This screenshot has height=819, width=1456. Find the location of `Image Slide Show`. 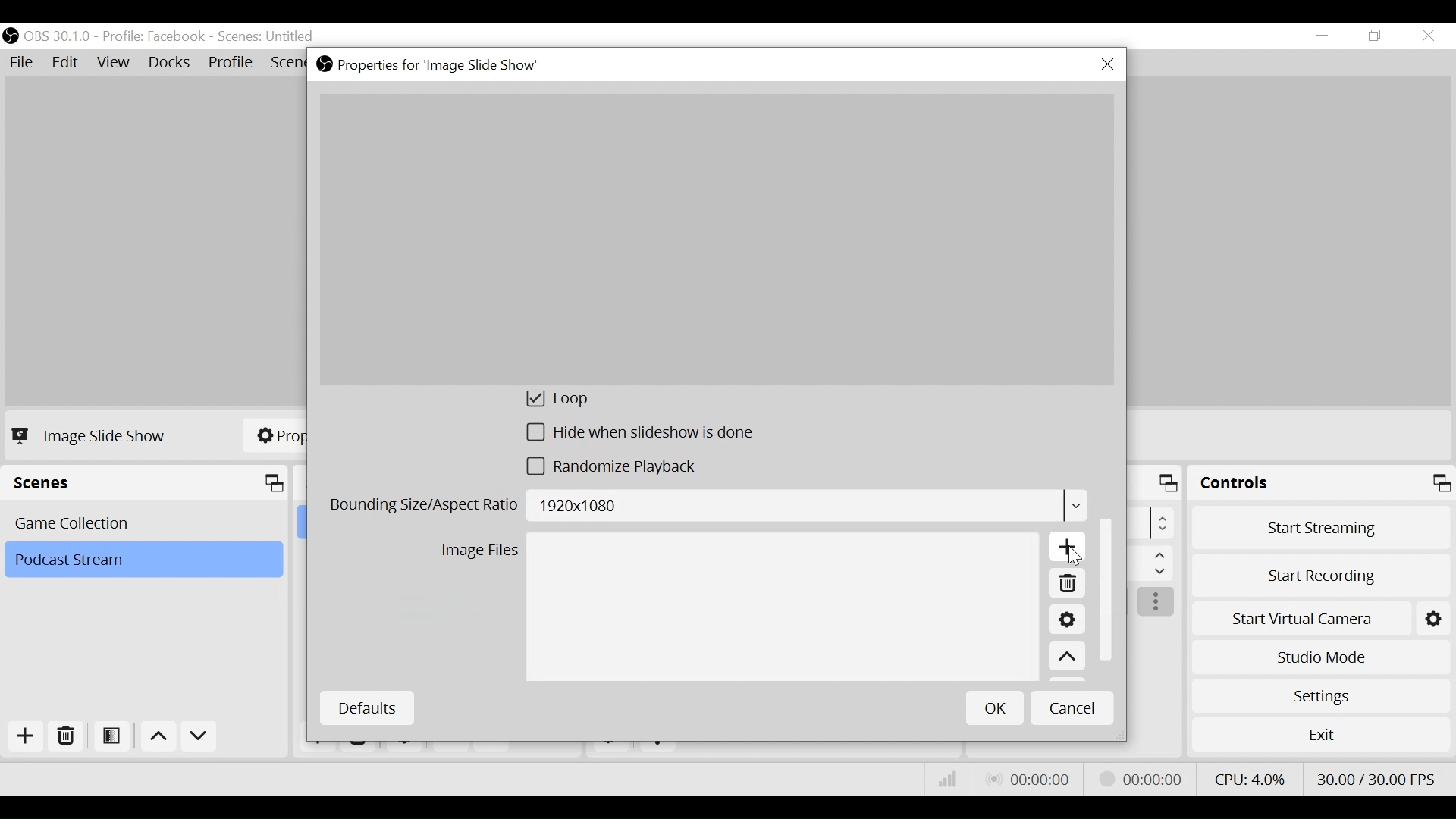

Image Slide Show is located at coordinates (93, 435).